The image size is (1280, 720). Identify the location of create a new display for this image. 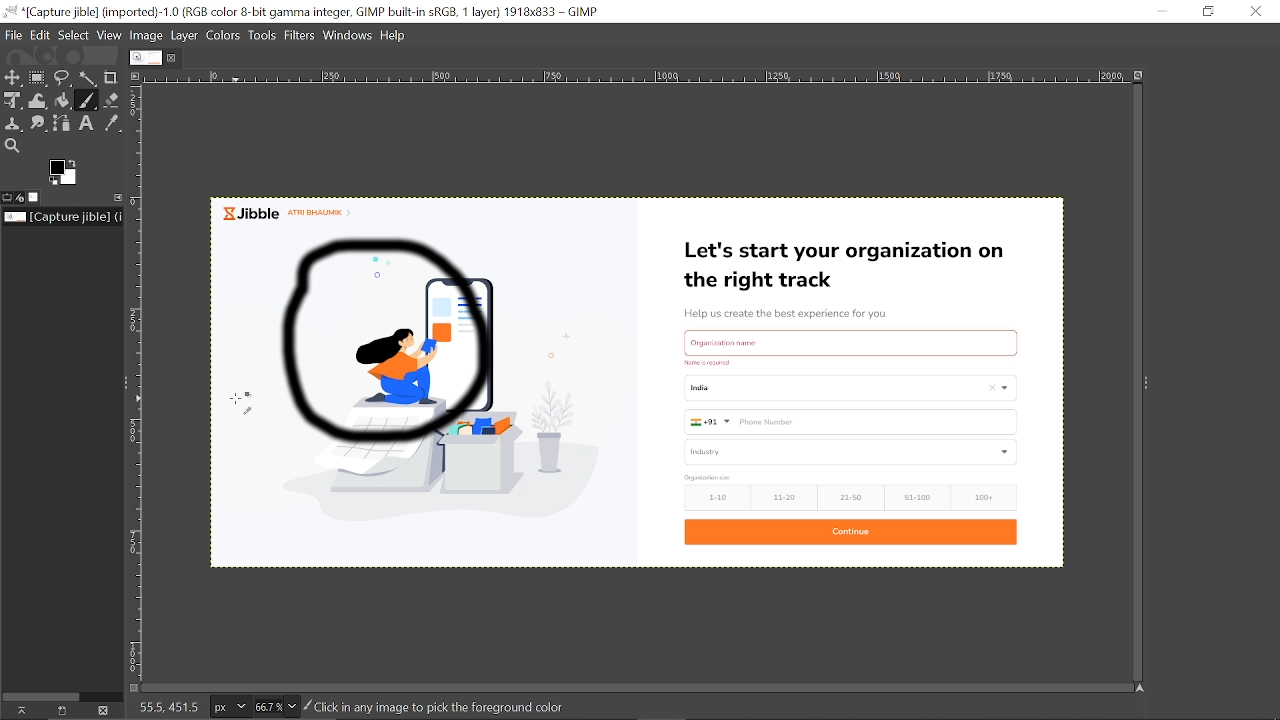
(59, 710).